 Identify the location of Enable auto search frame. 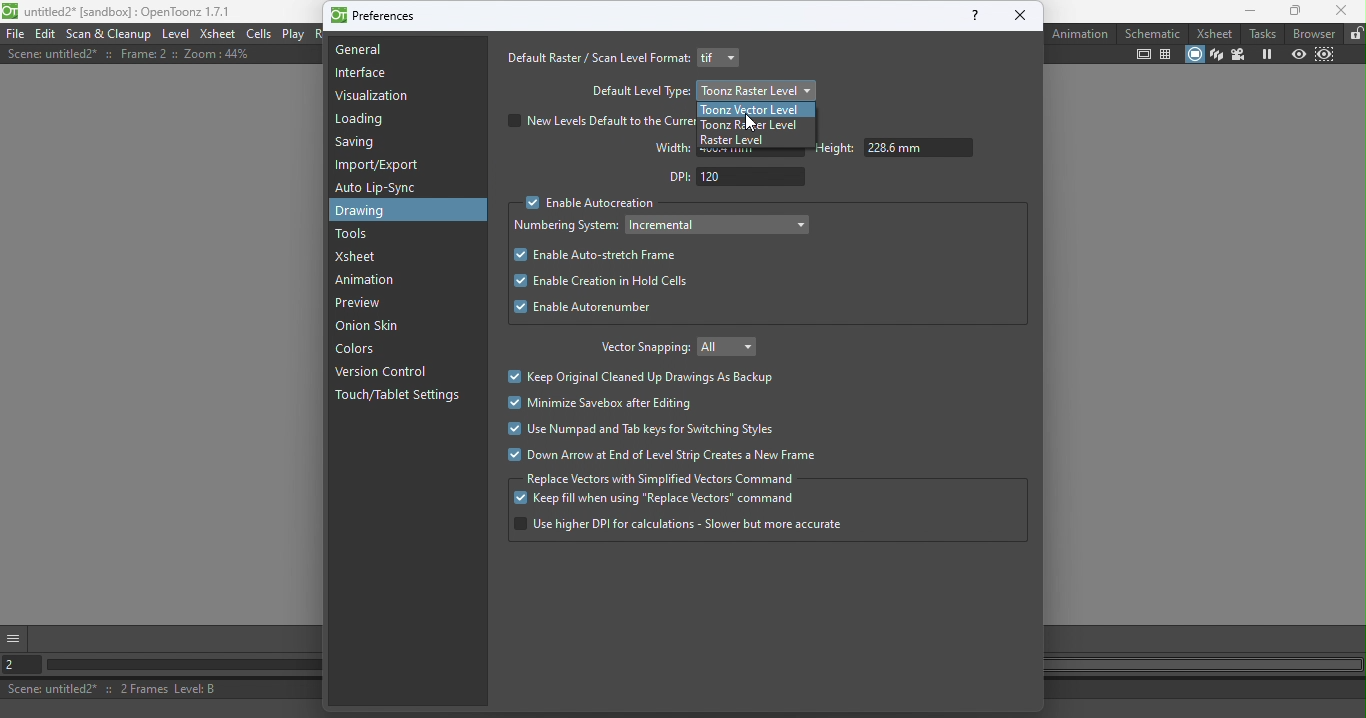
(594, 255).